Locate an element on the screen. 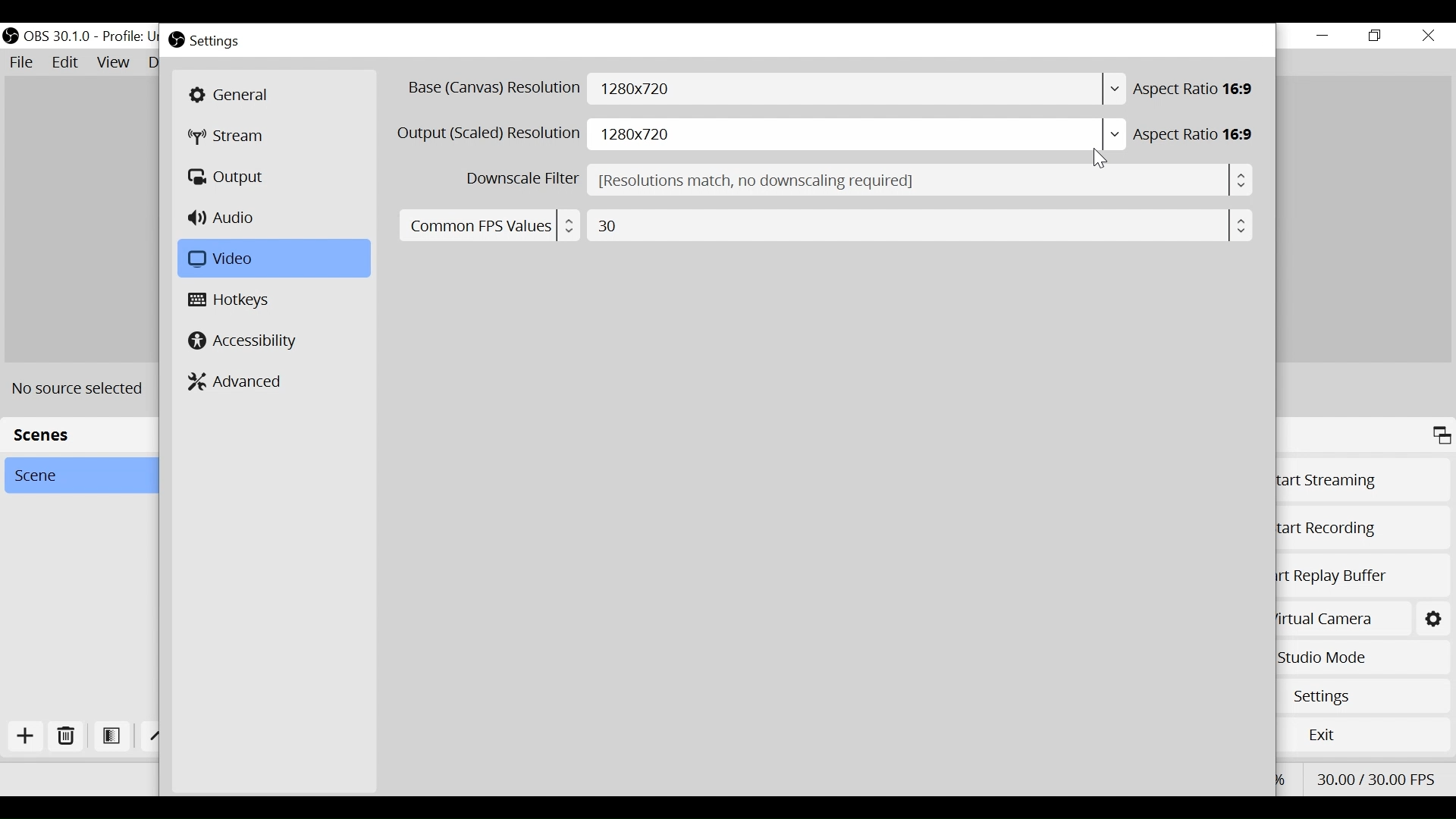 This screenshot has height=819, width=1456. OBS Studio Desktop Icon is located at coordinates (175, 40).